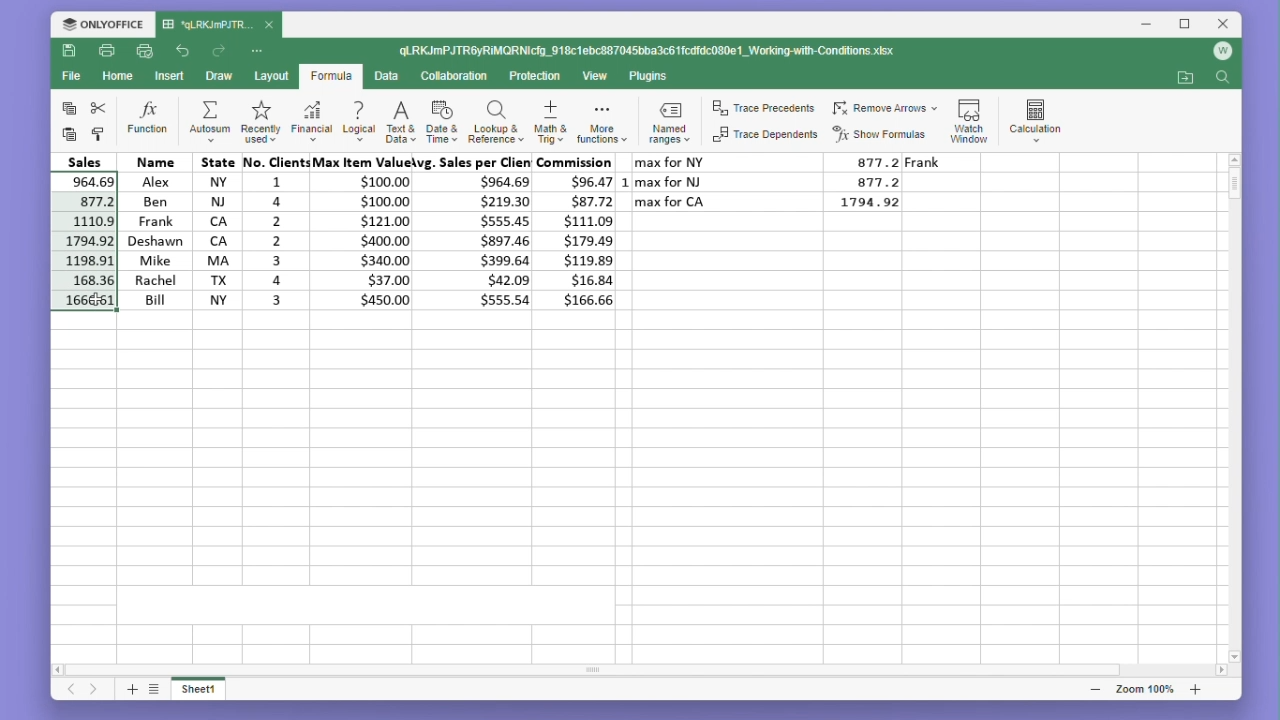  Describe the element at coordinates (628, 481) in the screenshot. I see `Empty cells` at that location.